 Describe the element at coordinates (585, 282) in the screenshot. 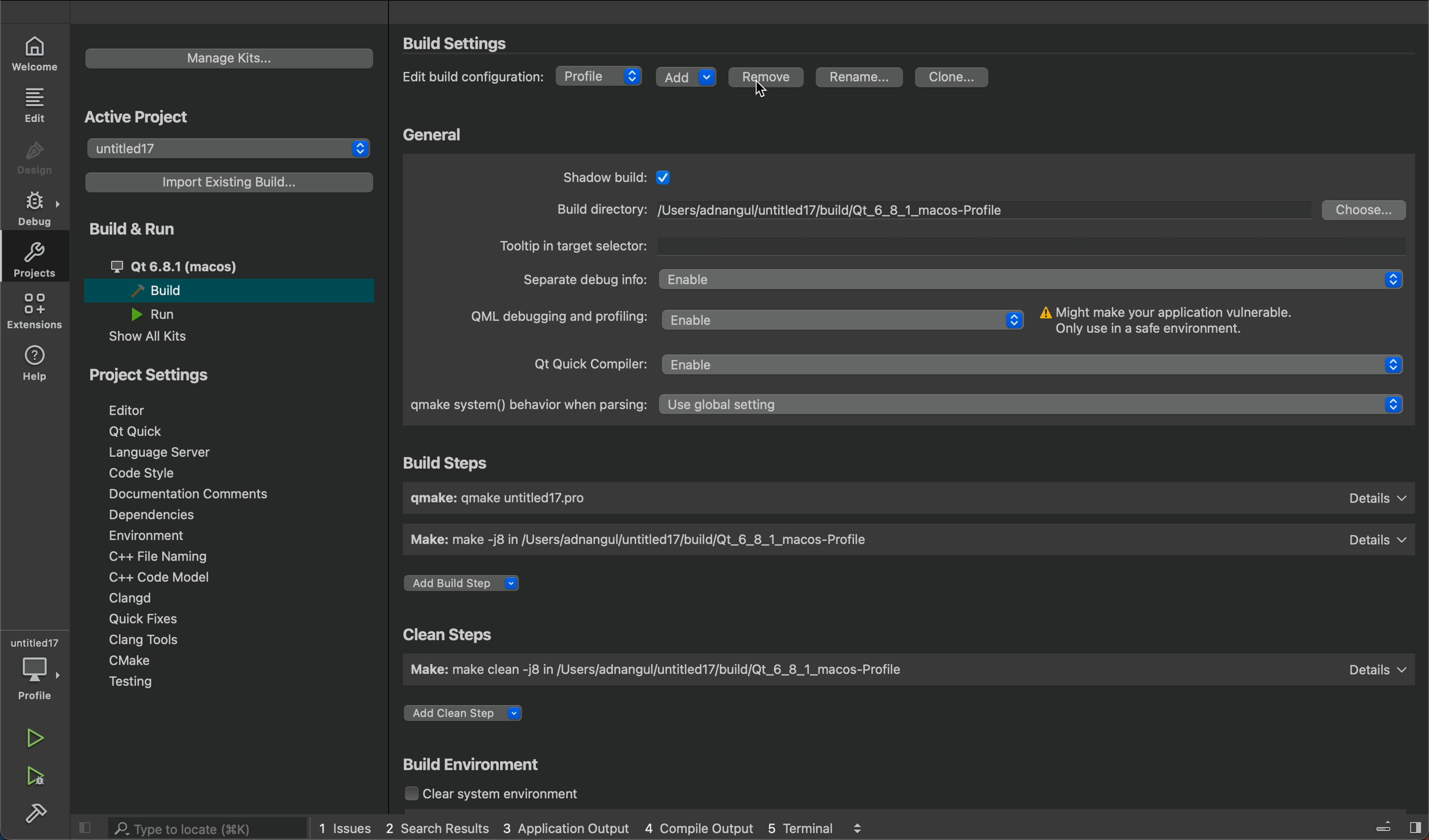

I see `sepertae debug` at that location.